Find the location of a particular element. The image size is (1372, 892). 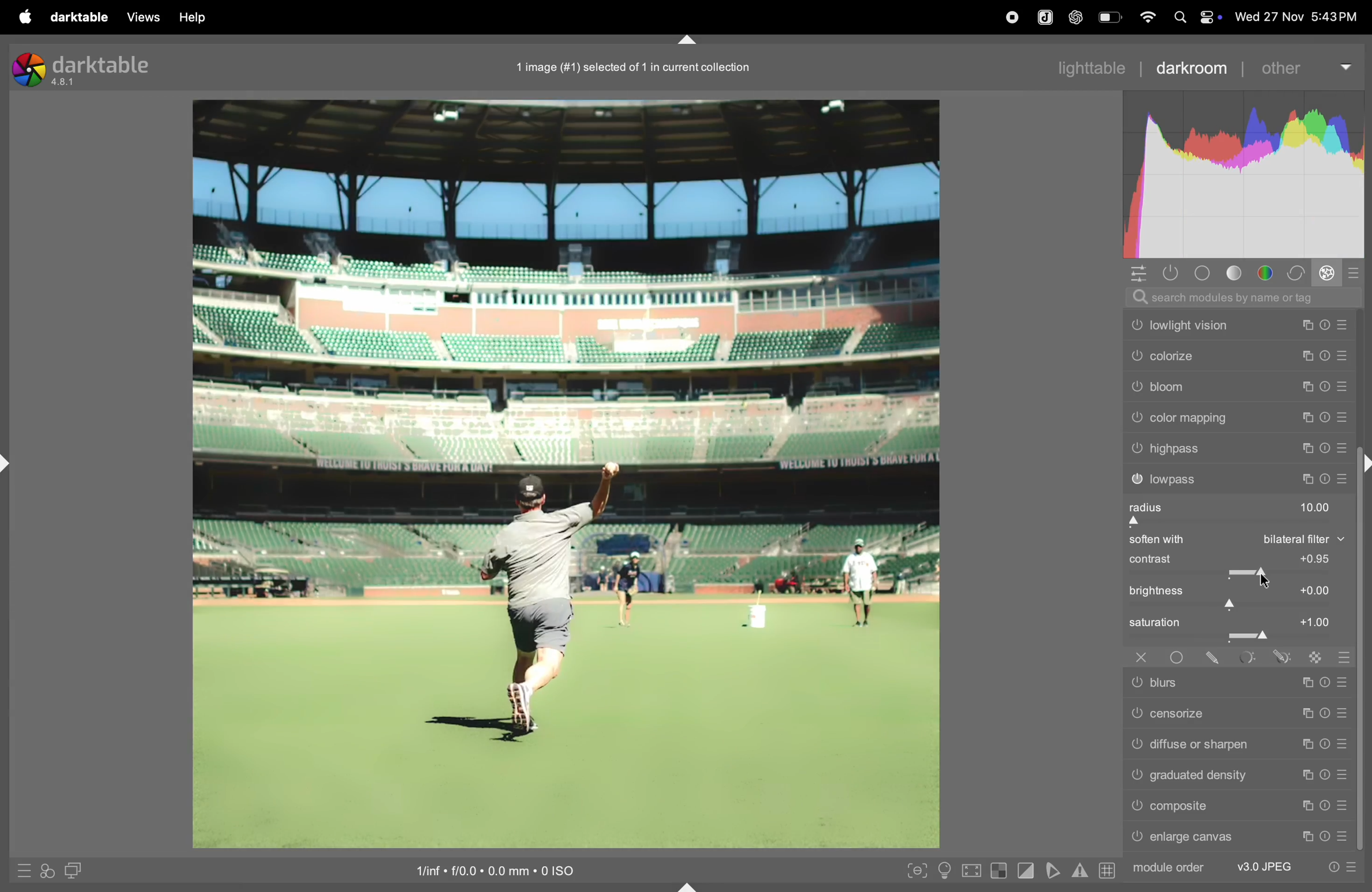

soften with bilateral filter is located at coordinates (1234, 541).